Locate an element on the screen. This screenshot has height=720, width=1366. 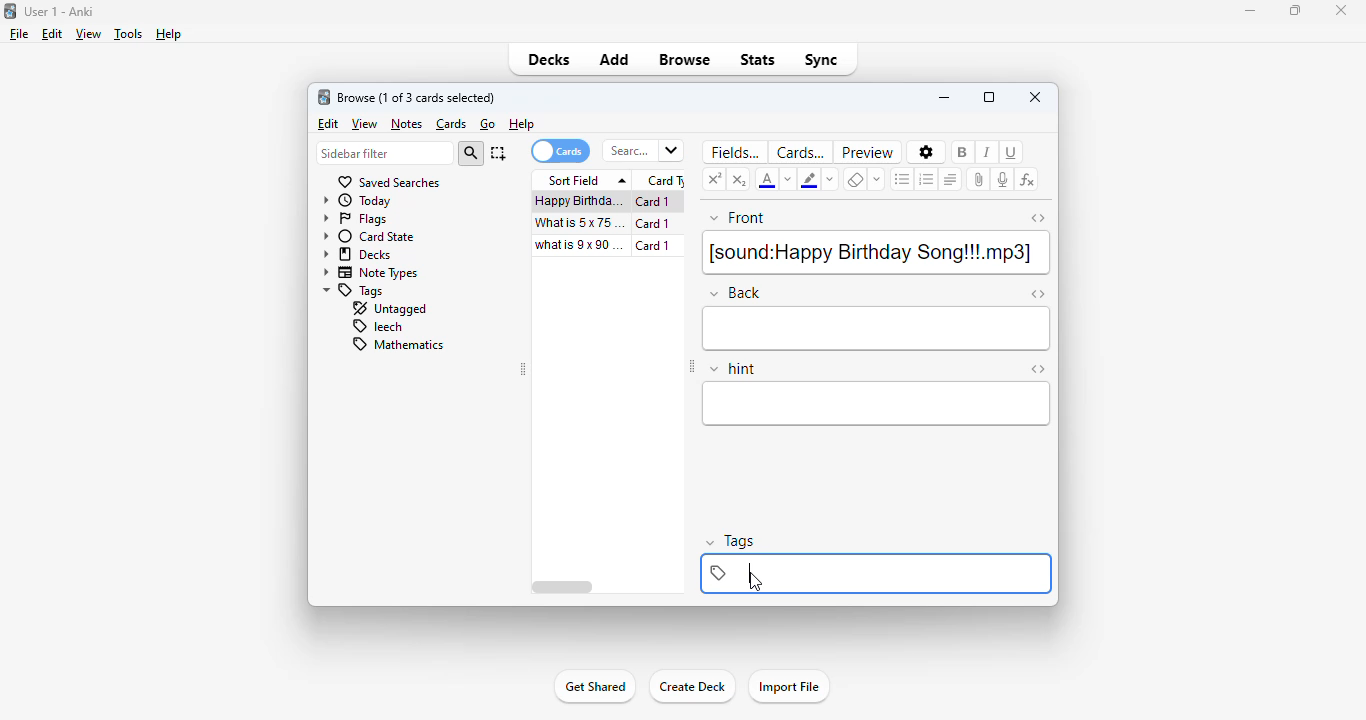
note types is located at coordinates (371, 274).